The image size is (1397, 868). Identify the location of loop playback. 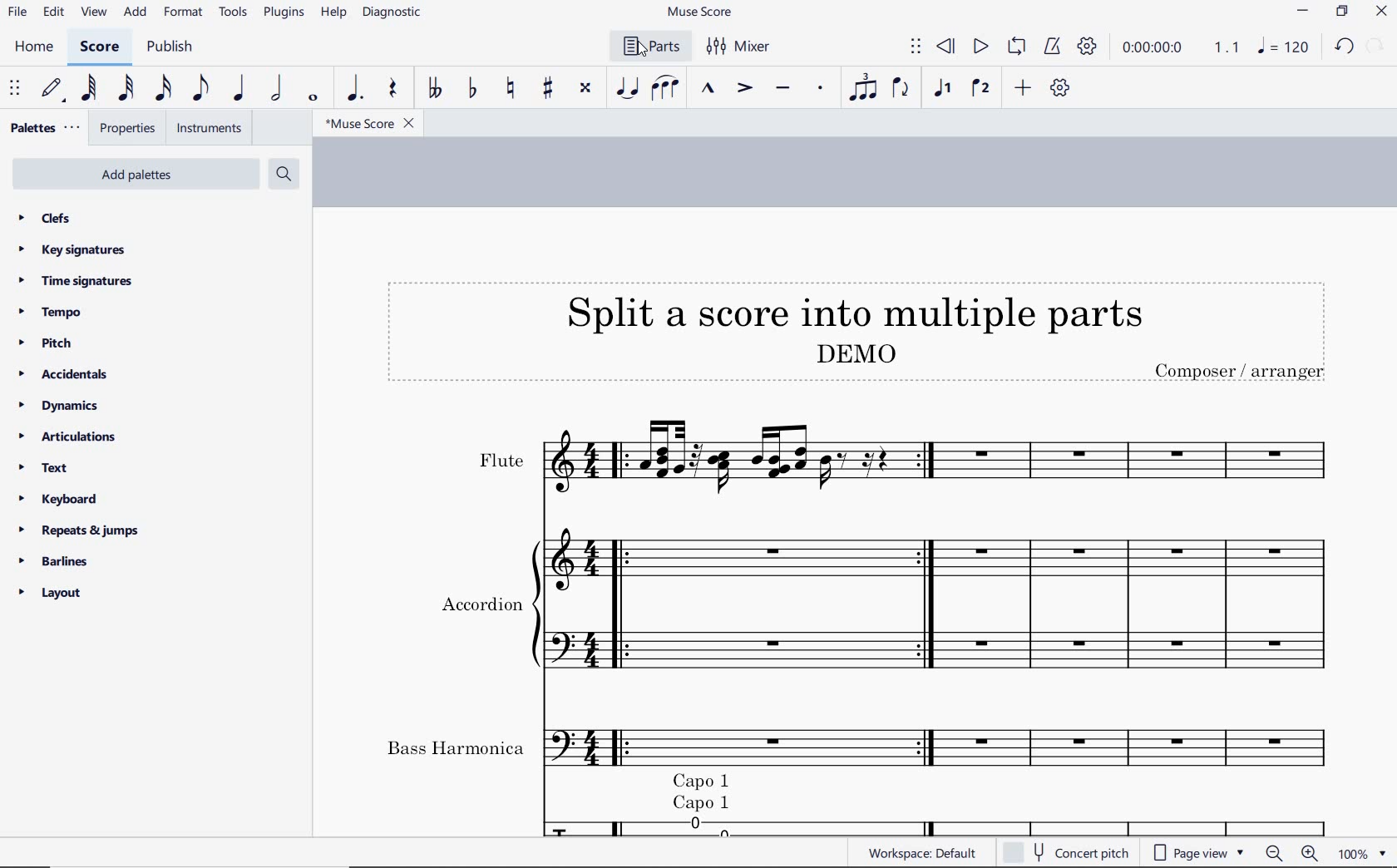
(1016, 48).